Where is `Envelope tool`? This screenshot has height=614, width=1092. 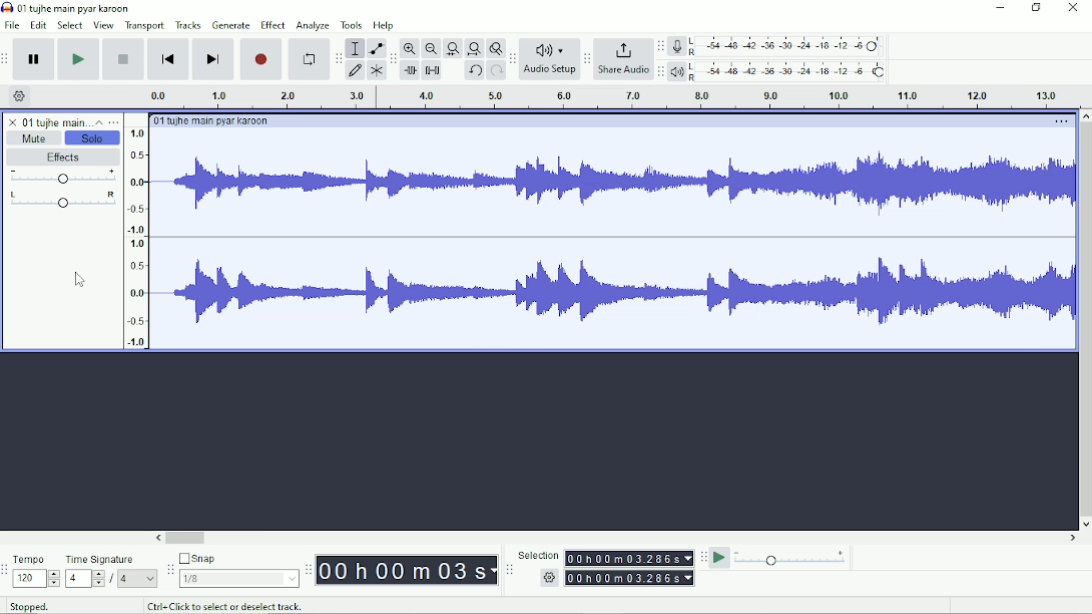
Envelope tool is located at coordinates (375, 49).